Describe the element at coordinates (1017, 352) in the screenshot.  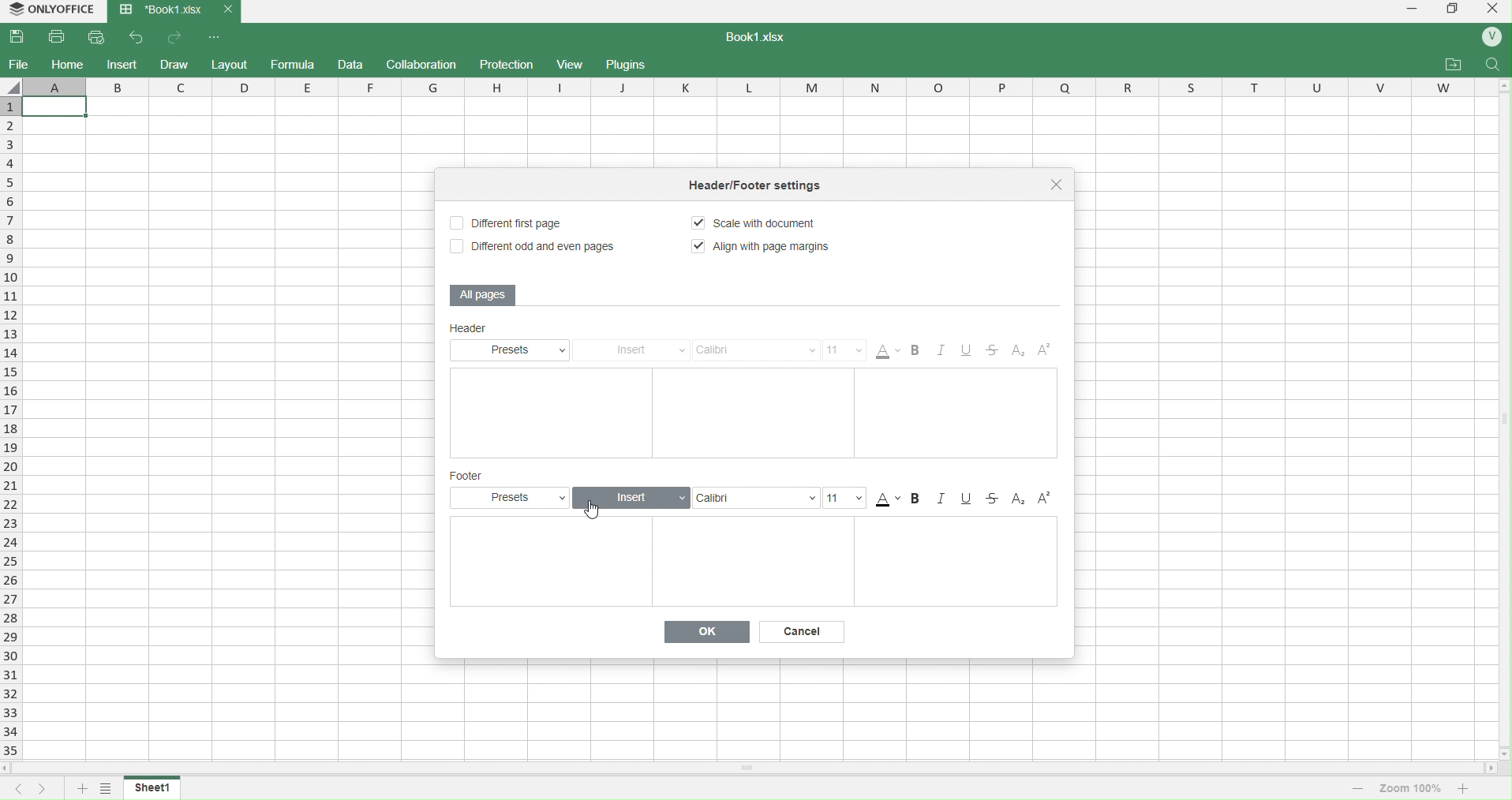
I see `Subscript` at that location.